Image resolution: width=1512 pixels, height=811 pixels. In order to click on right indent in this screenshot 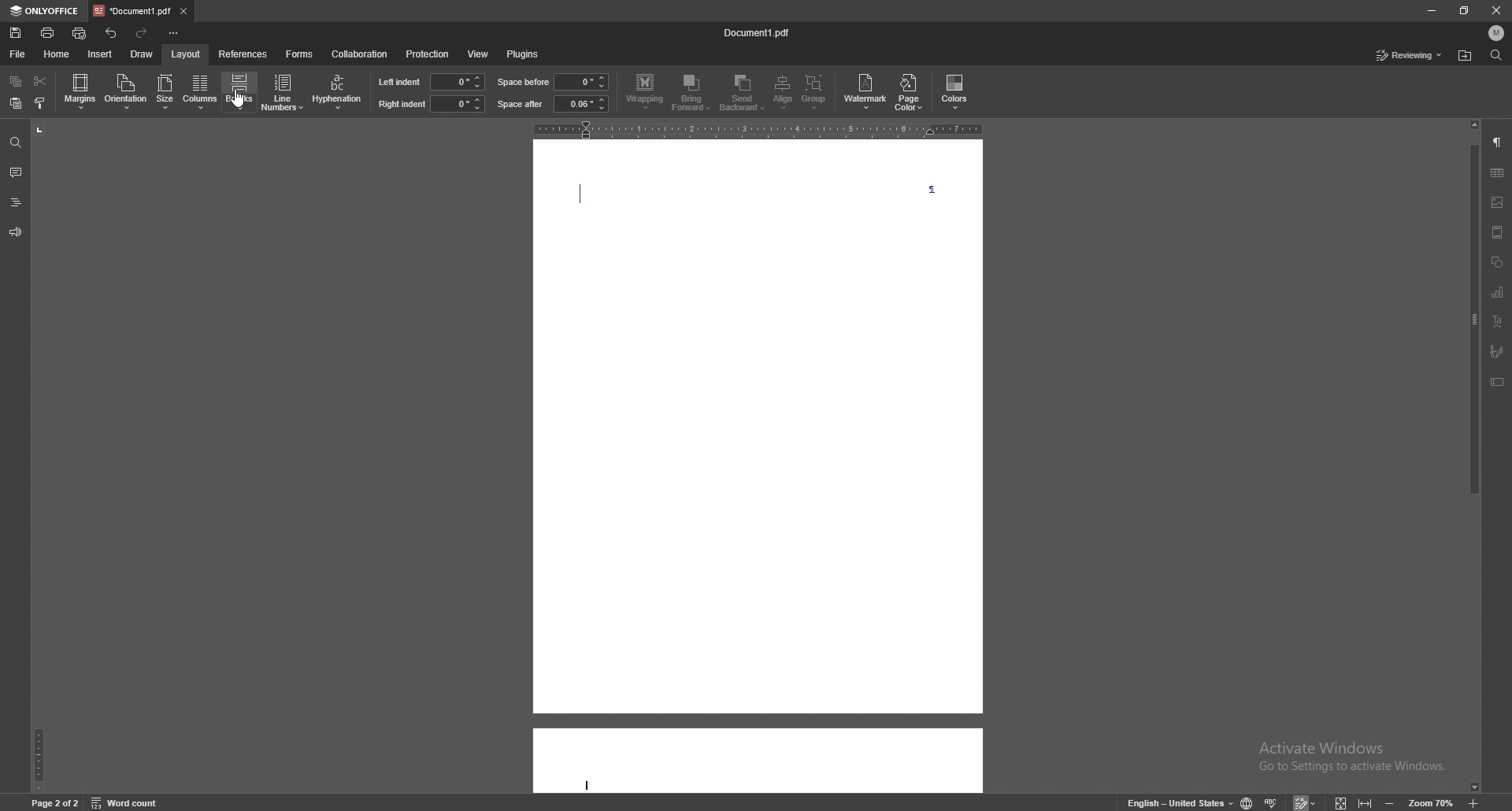, I will do `click(402, 104)`.